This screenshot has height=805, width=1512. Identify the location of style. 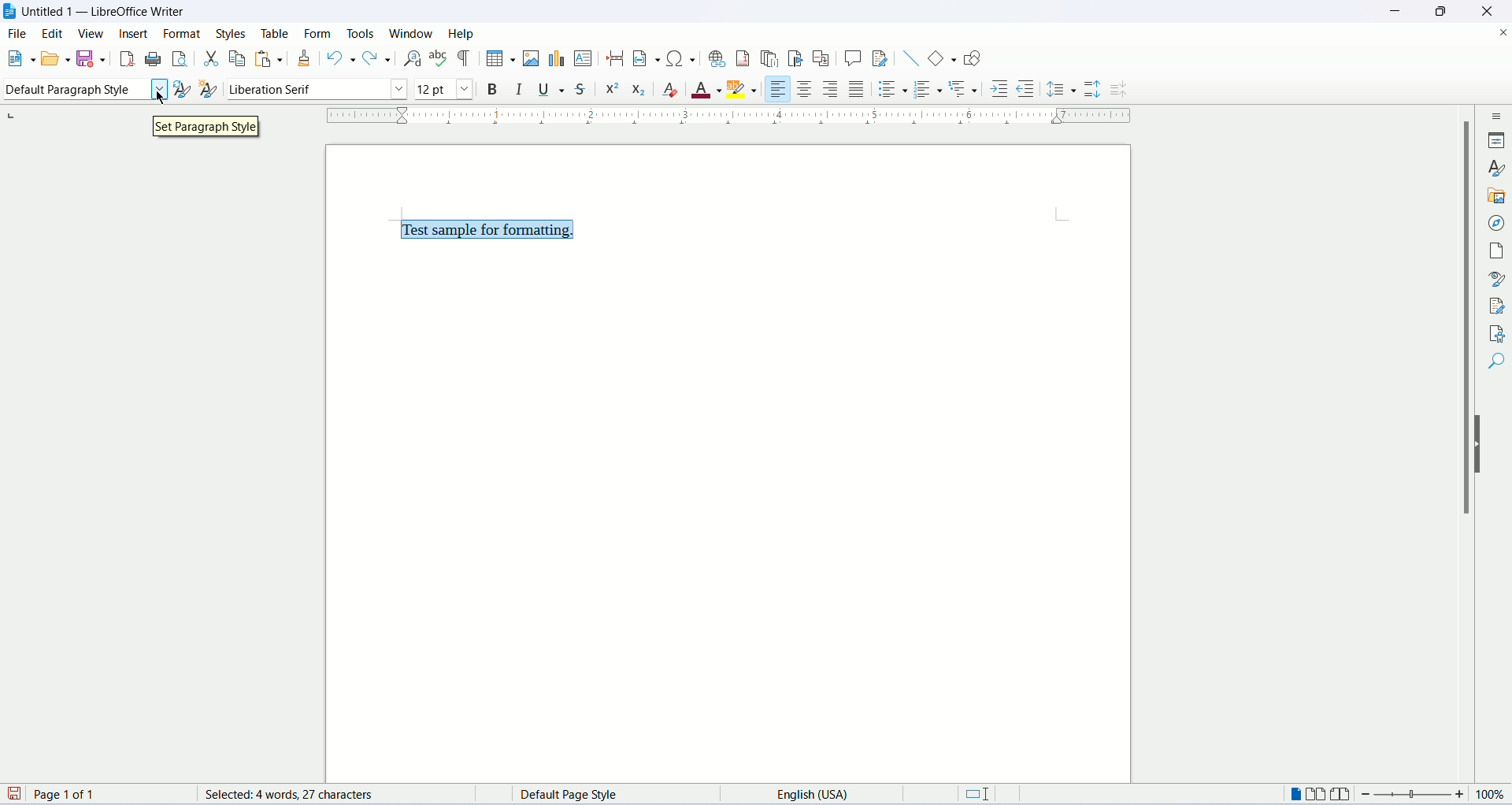
(1496, 169).